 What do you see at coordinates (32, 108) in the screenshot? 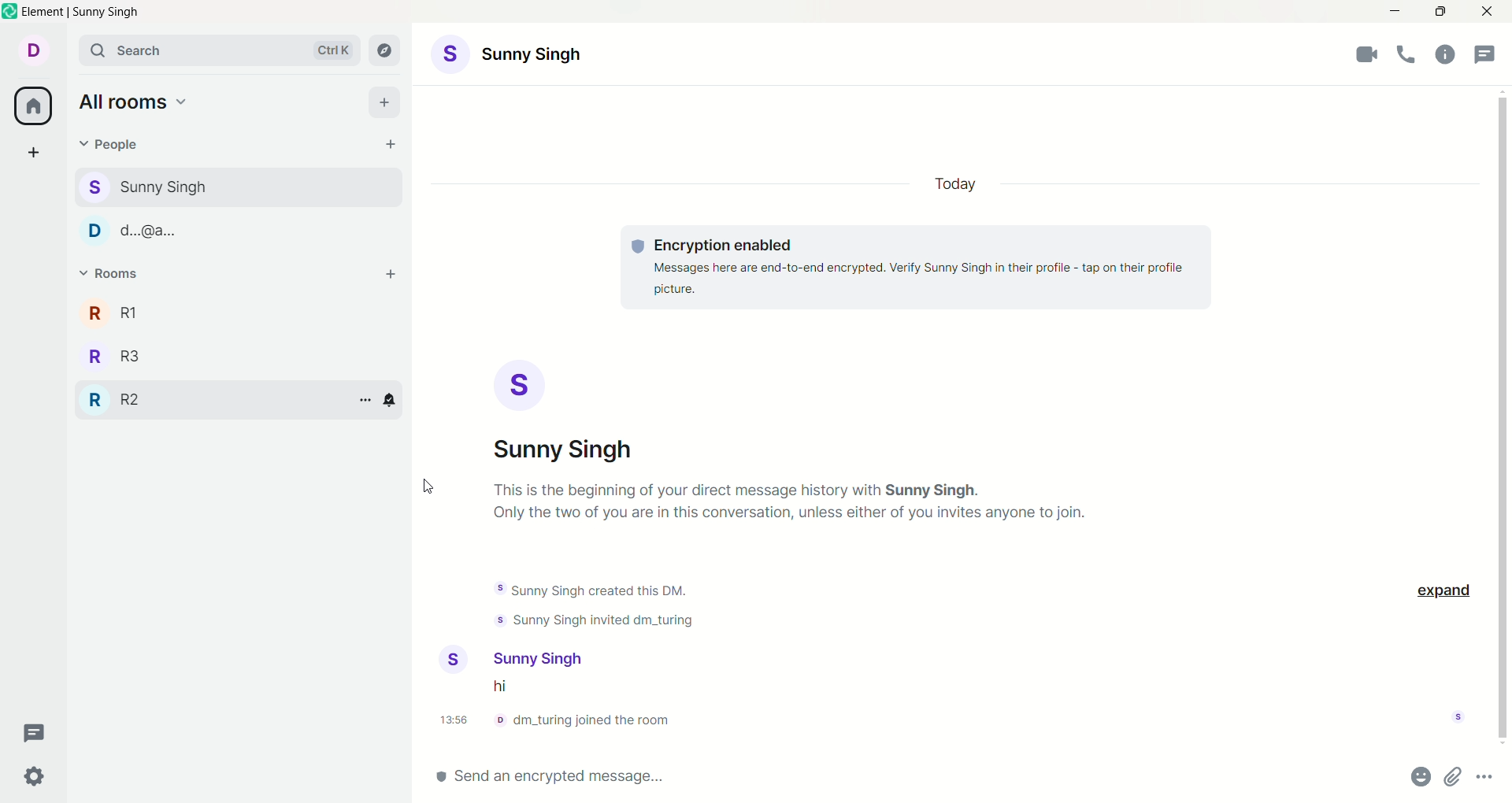
I see `all rooms` at bounding box center [32, 108].